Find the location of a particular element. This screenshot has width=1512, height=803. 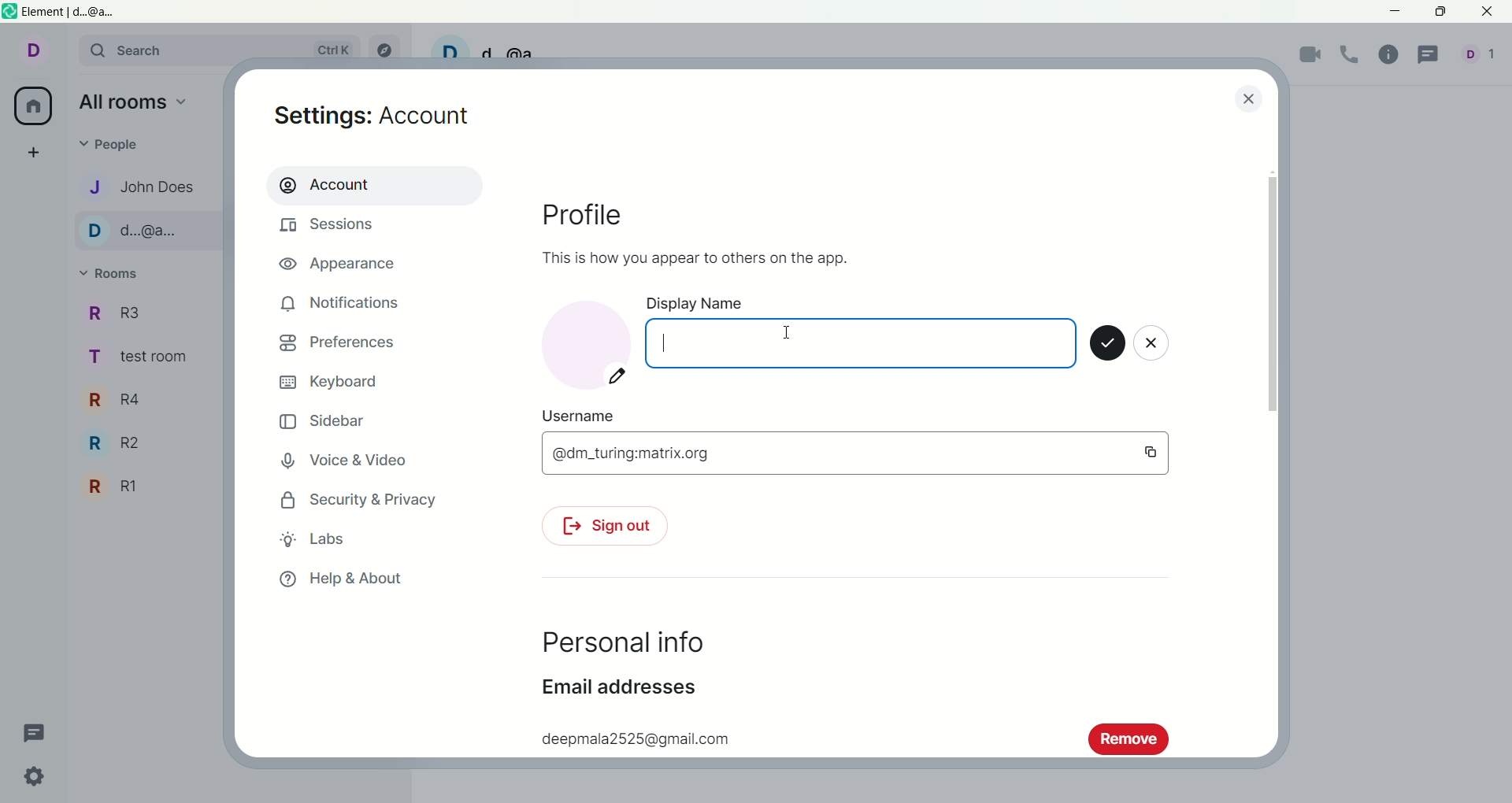

This is how you appear to others on the app is located at coordinates (691, 257).